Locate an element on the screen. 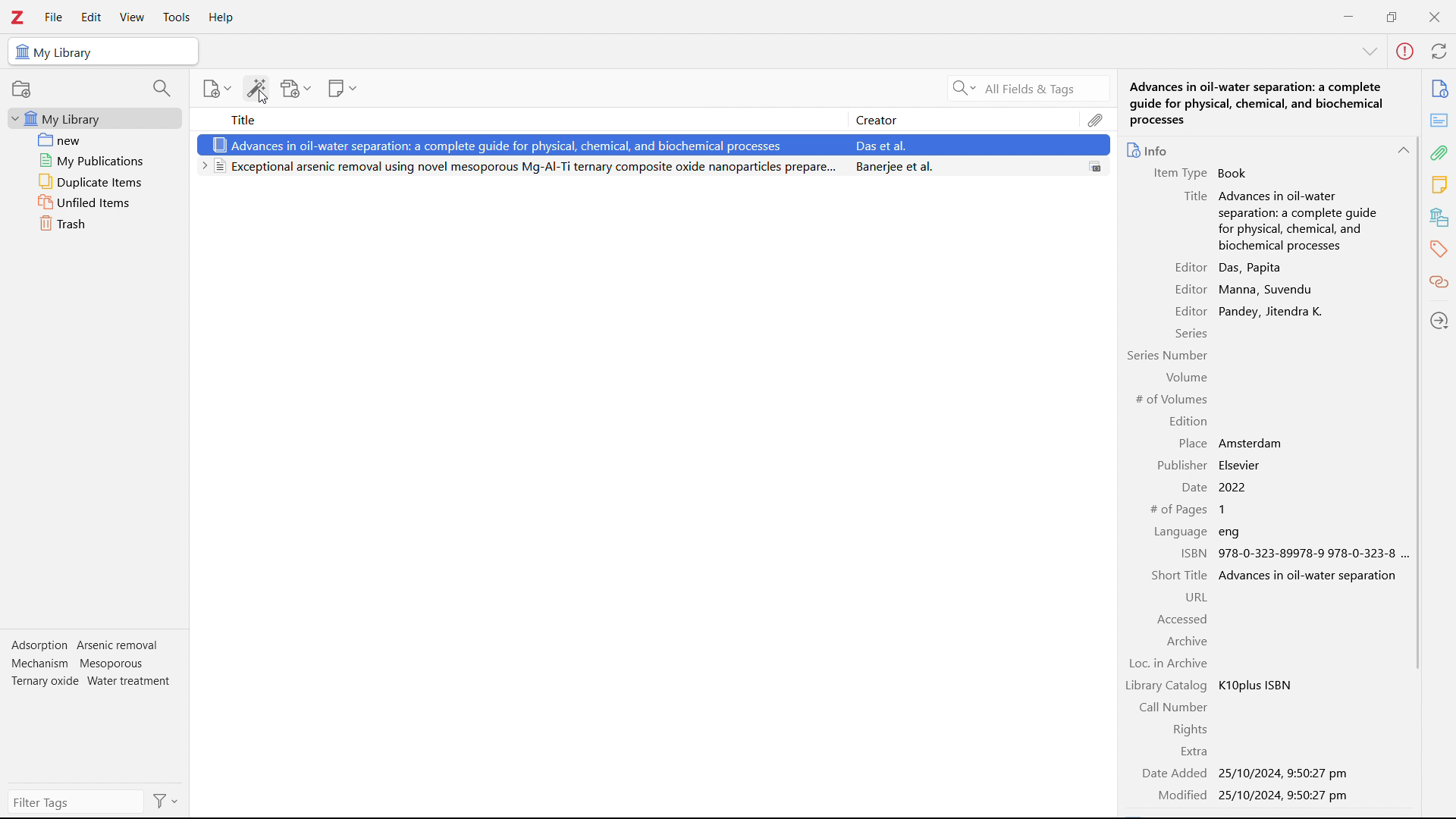 Image resolution: width=1456 pixels, height=819 pixels. add items by identifiers is located at coordinates (256, 88).